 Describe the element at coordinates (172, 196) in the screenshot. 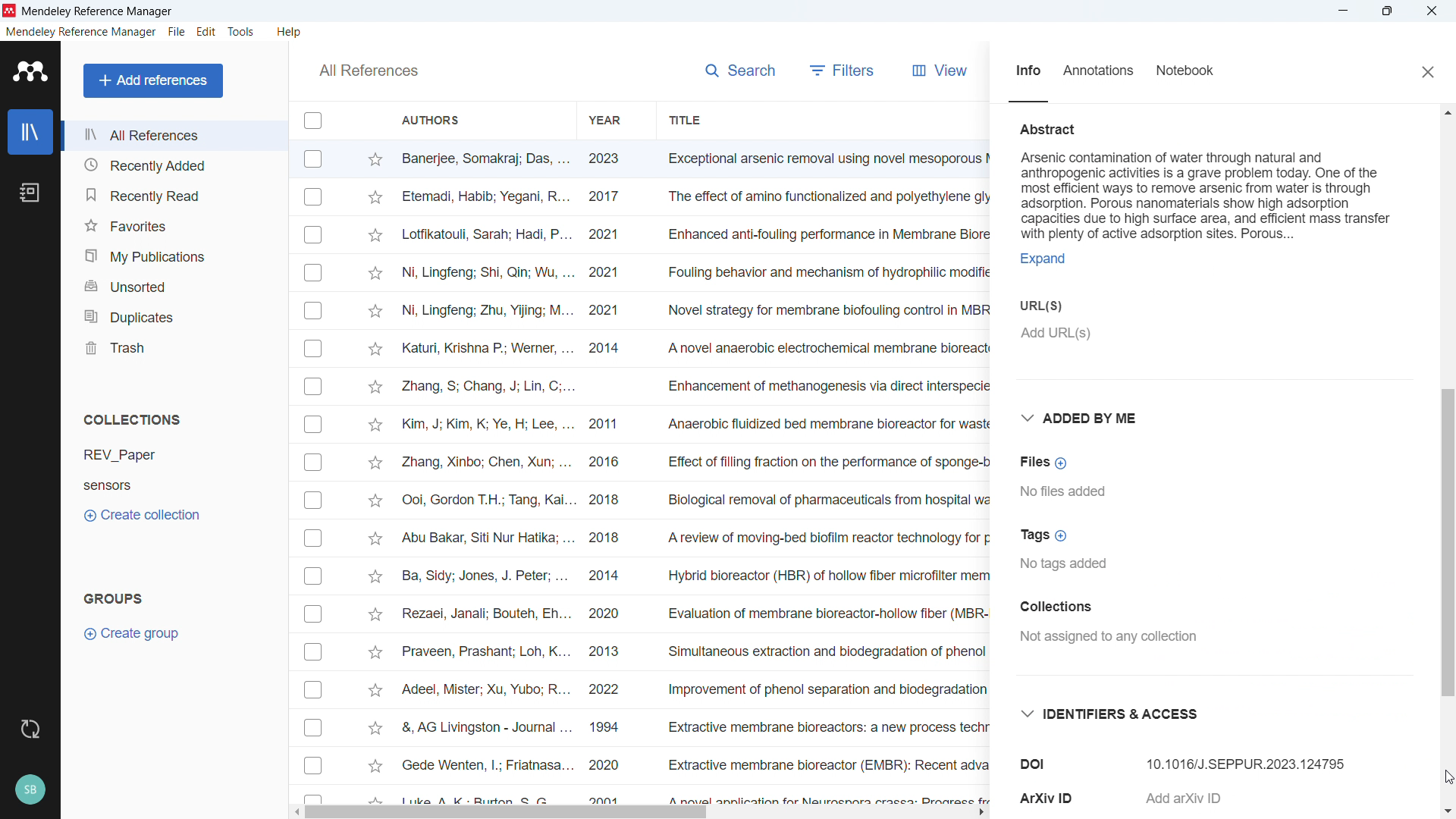

I see `recently read` at that location.